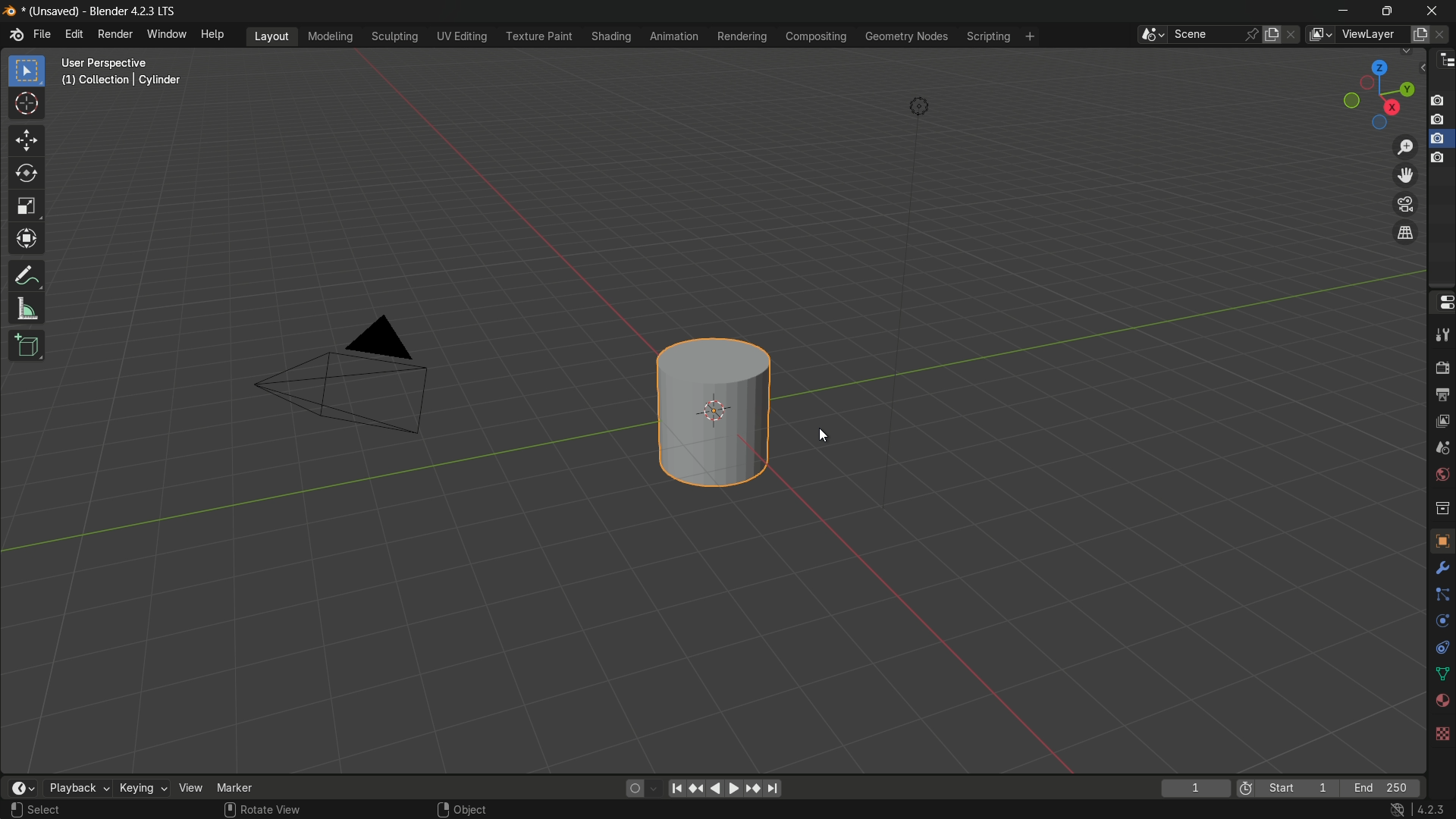 This screenshot has width=1456, height=819. What do you see at coordinates (631, 789) in the screenshot?
I see `auto keying` at bounding box center [631, 789].